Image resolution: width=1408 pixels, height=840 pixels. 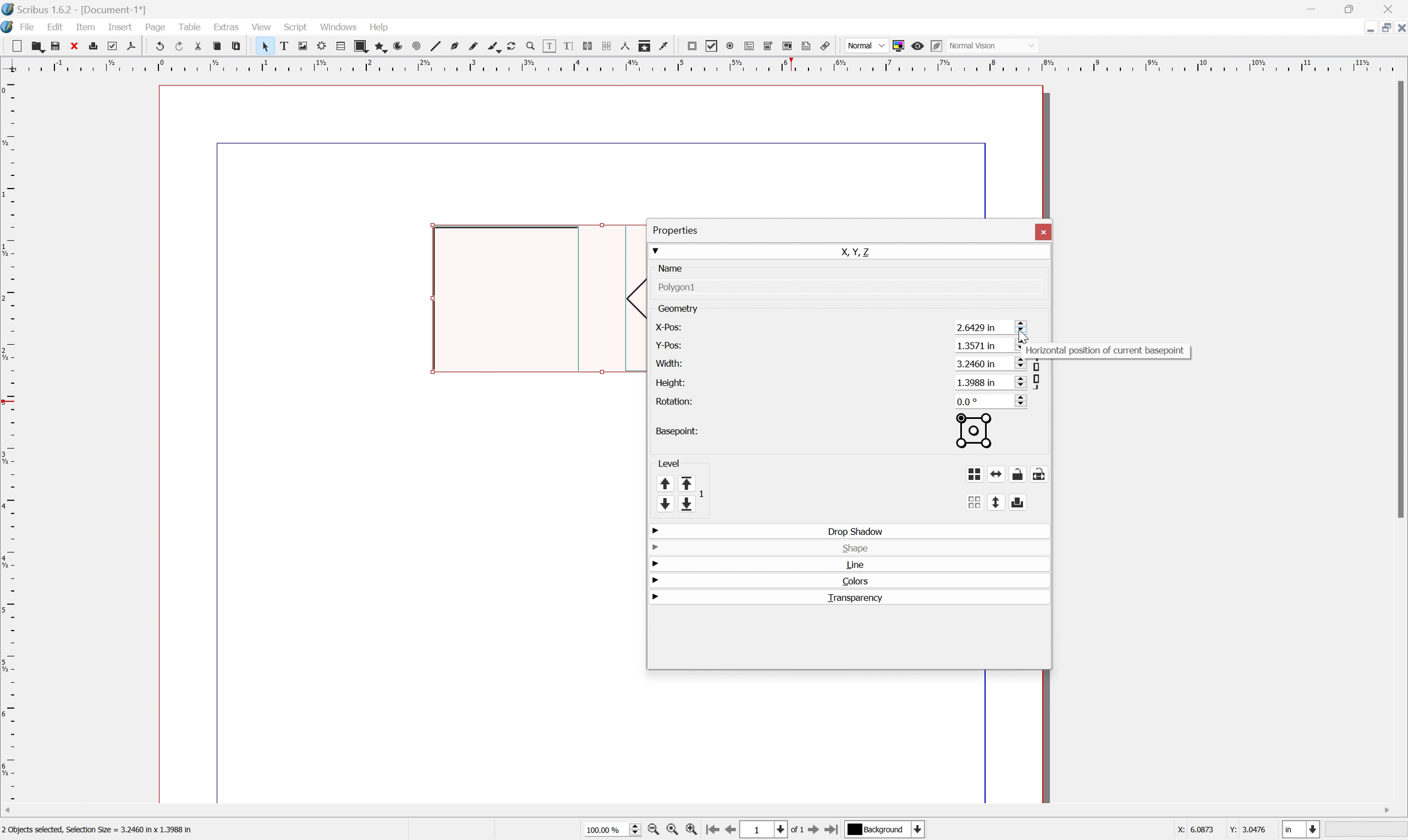 What do you see at coordinates (262, 46) in the screenshot?
I see `select item` at bounding box center [262, 46].